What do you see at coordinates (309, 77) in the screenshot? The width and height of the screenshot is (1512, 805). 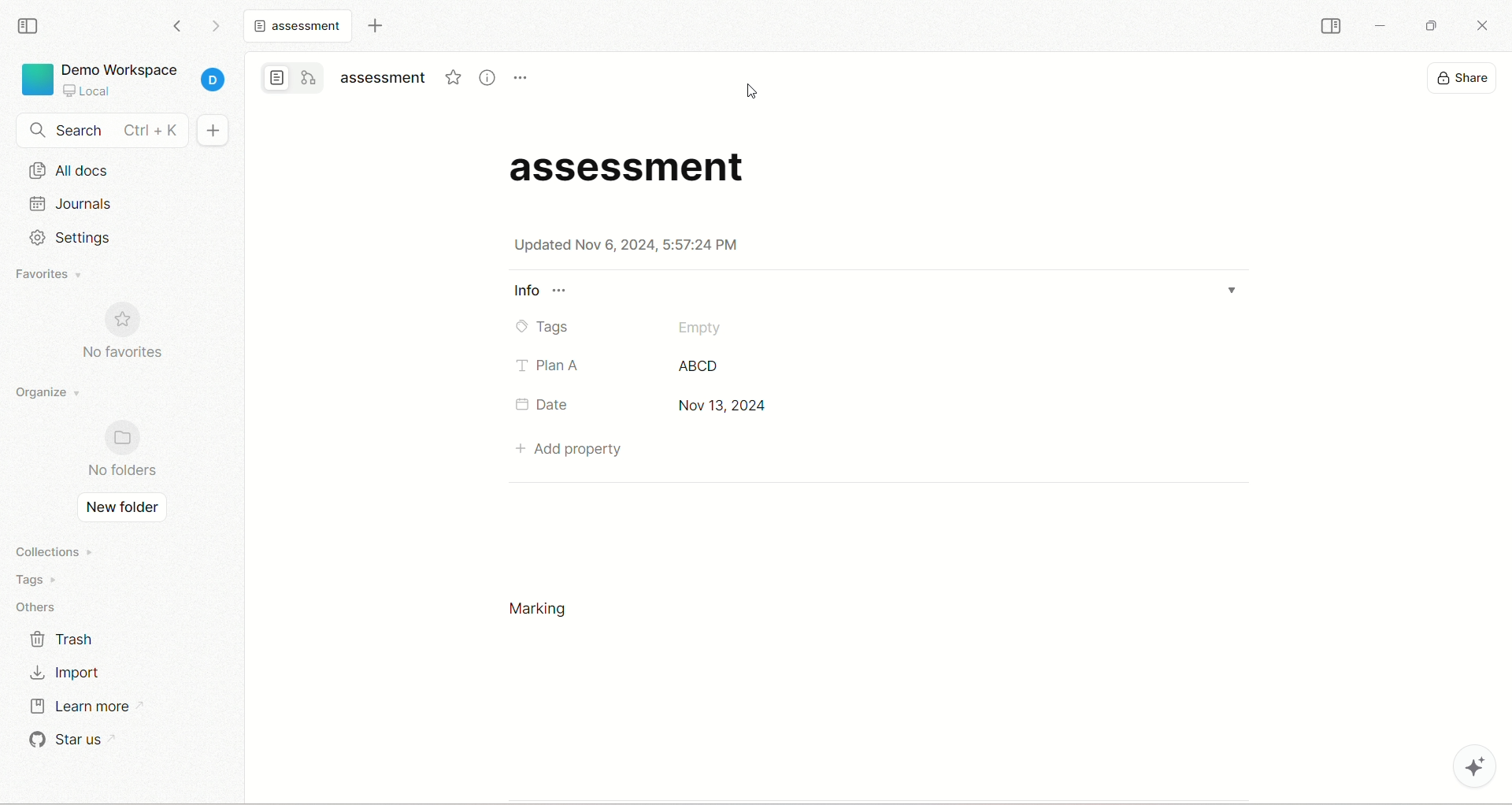 I see `edgeless mode` at bounding box center [309, 77].